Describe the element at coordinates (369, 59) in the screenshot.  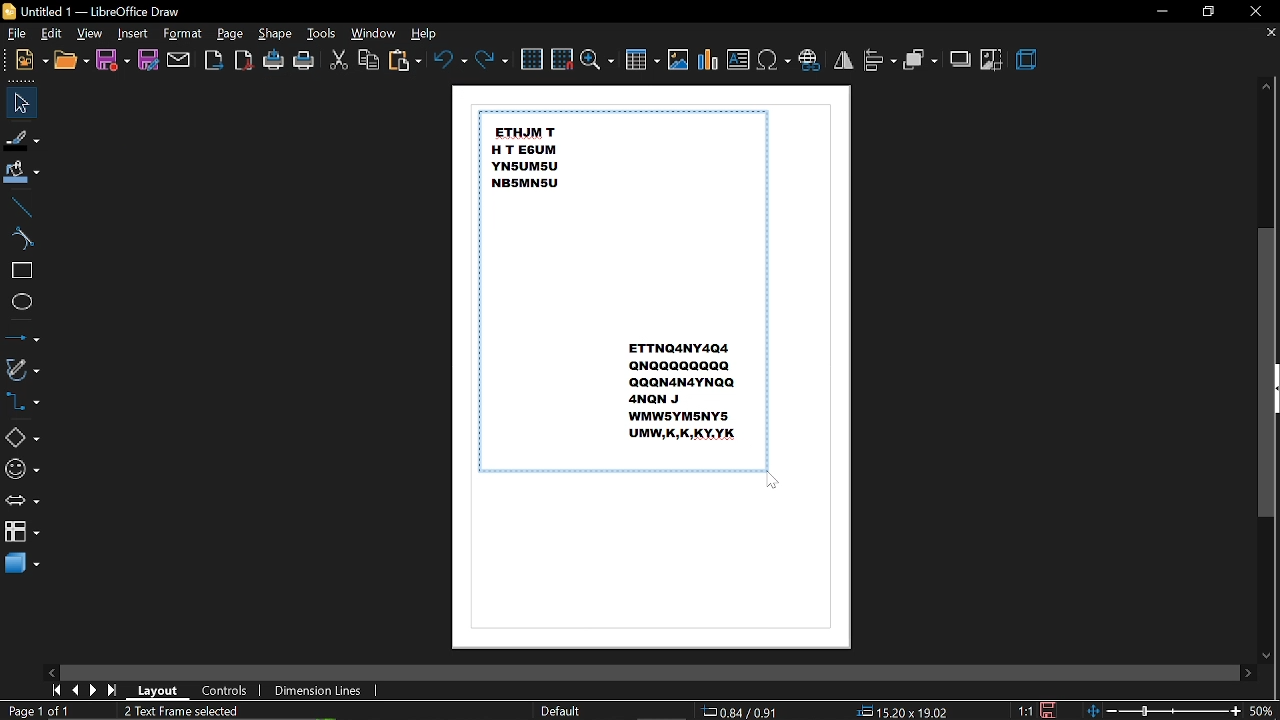
I see `copy ` at that location.